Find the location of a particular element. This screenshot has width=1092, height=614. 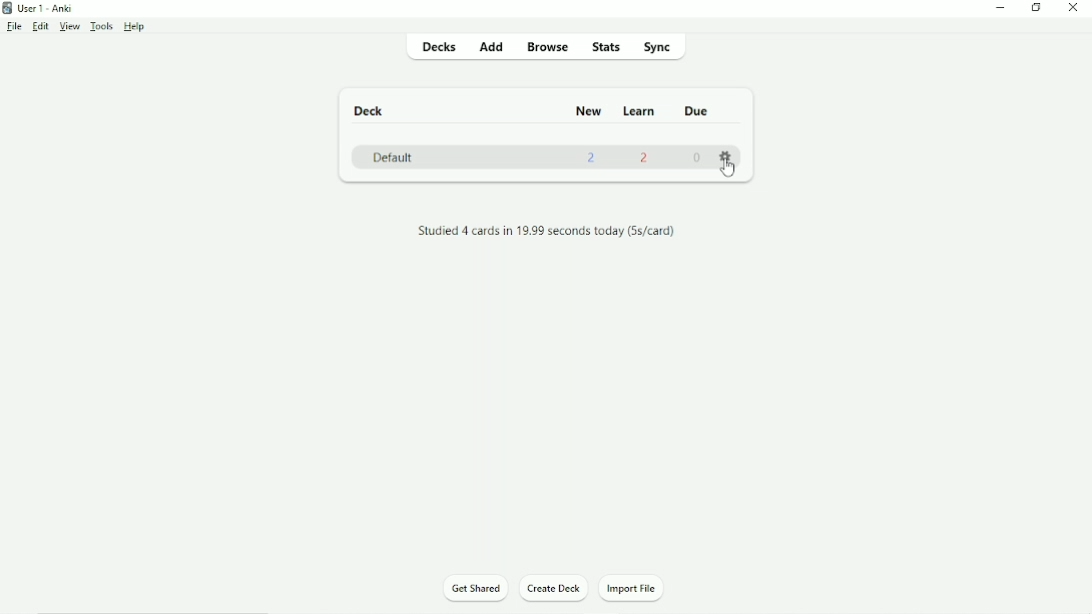

Learn is located at coordinates (640, 111).